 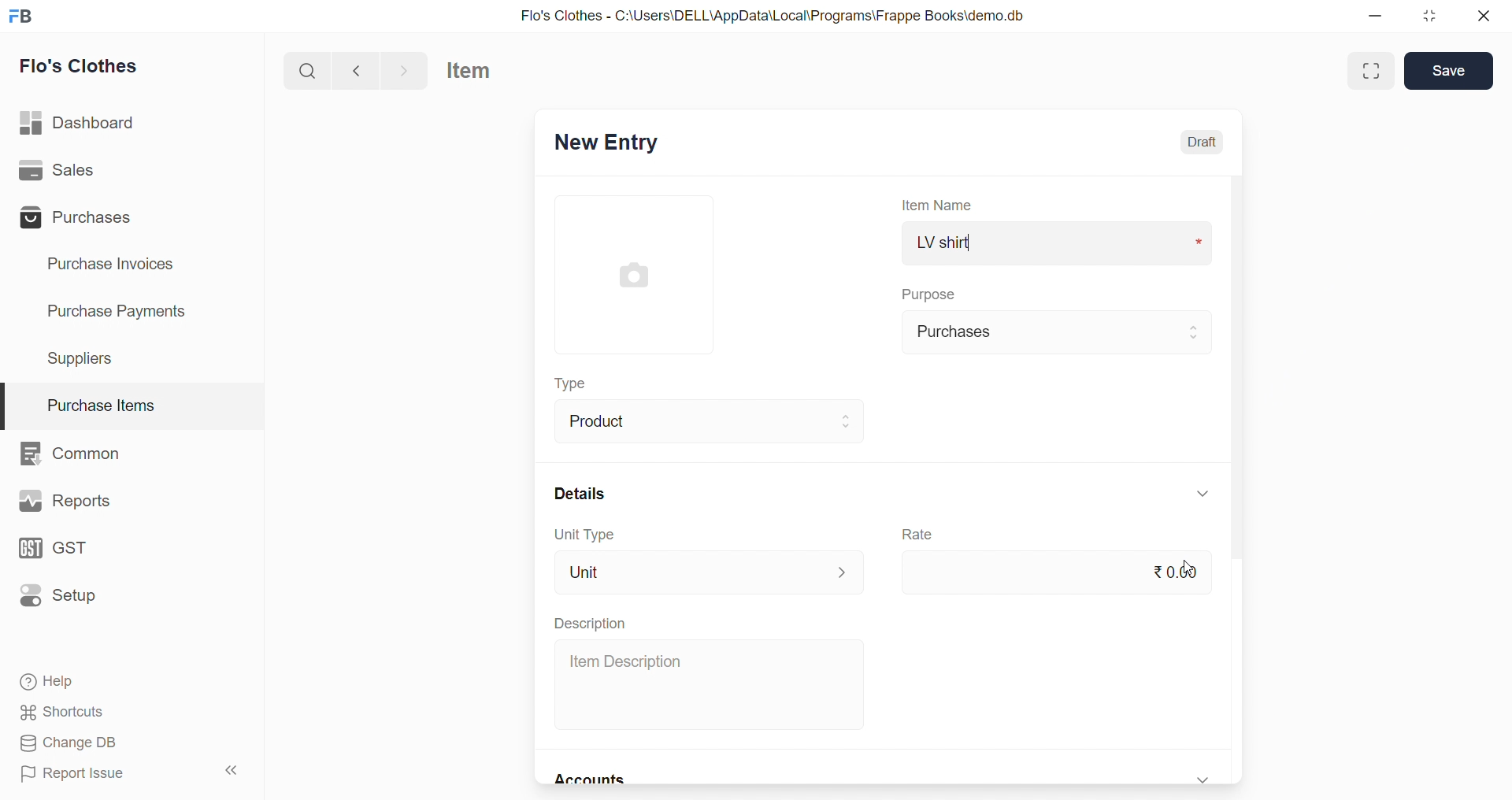 I want to click on LV shirt, so click(x=1058, y=245).